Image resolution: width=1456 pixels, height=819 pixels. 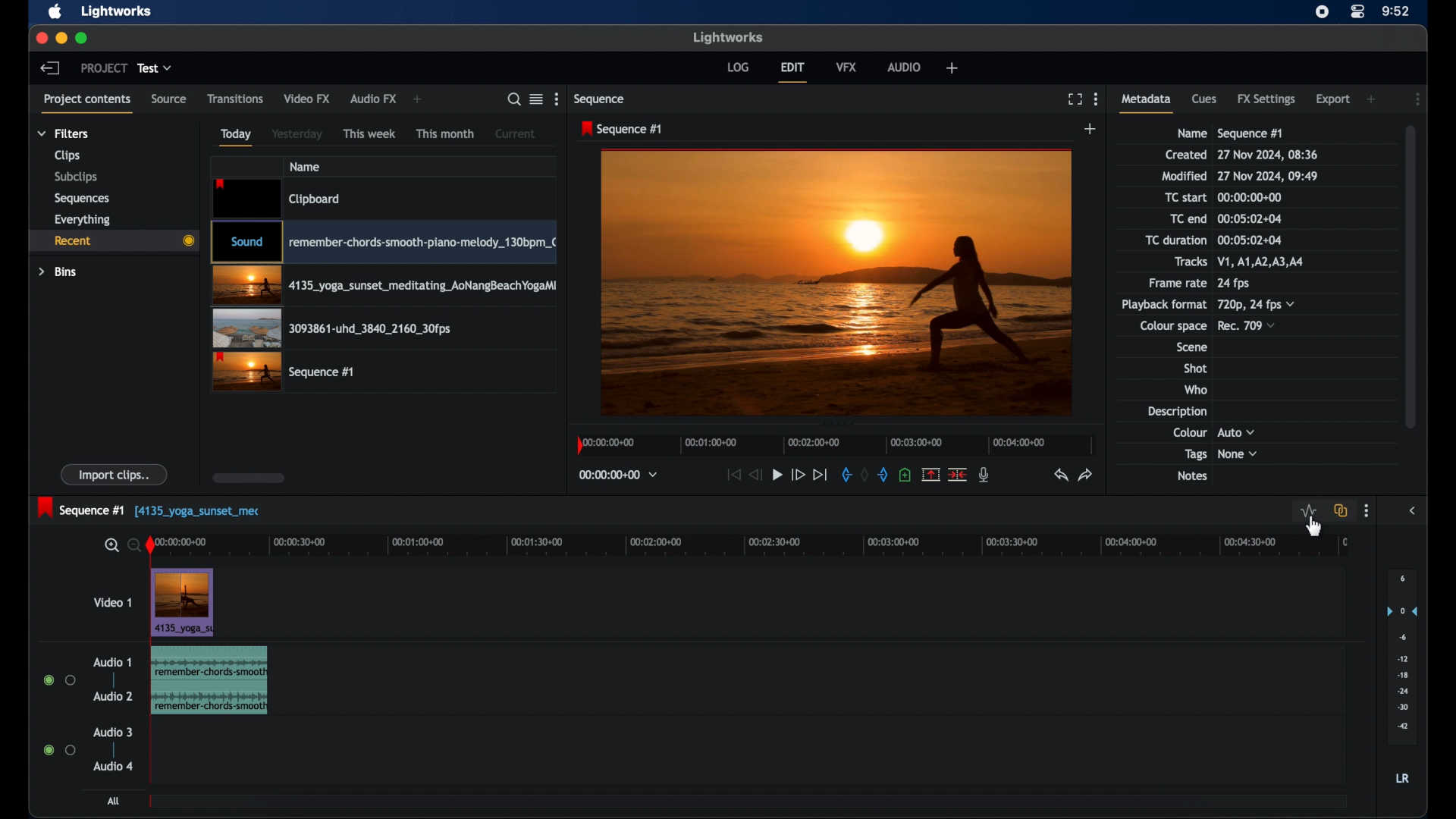 I want to click on play head, so click(x=151, y=546).